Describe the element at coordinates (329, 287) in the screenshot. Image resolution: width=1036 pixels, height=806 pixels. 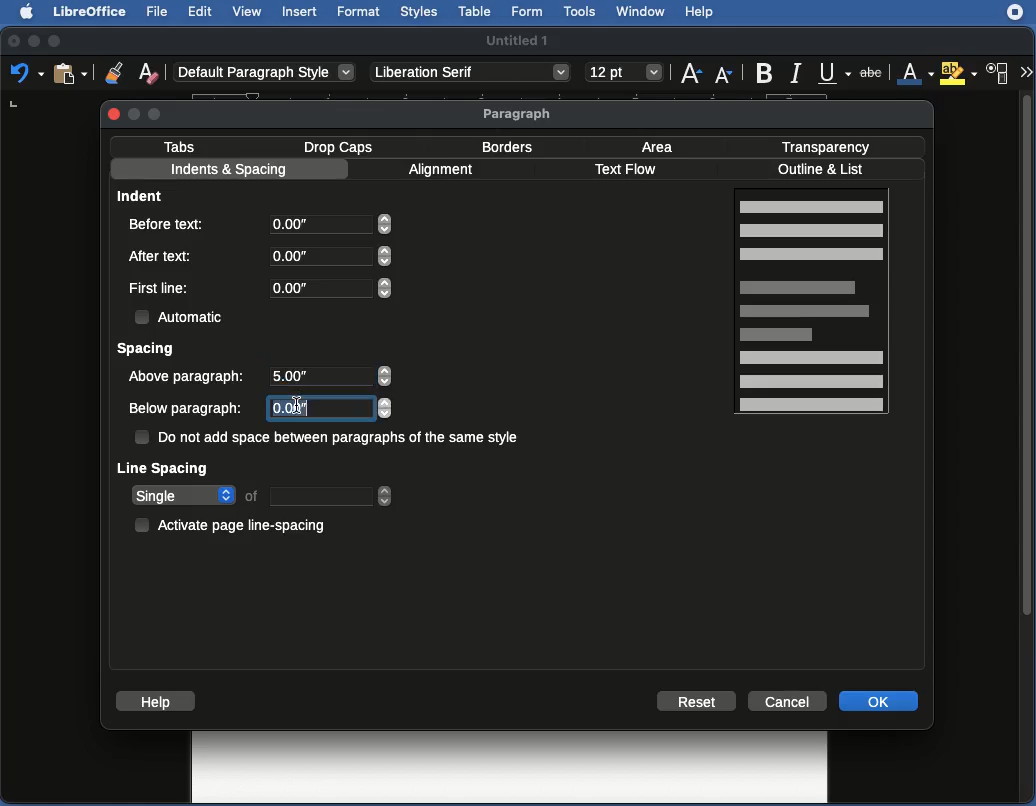
I see `0.00"` at that location.